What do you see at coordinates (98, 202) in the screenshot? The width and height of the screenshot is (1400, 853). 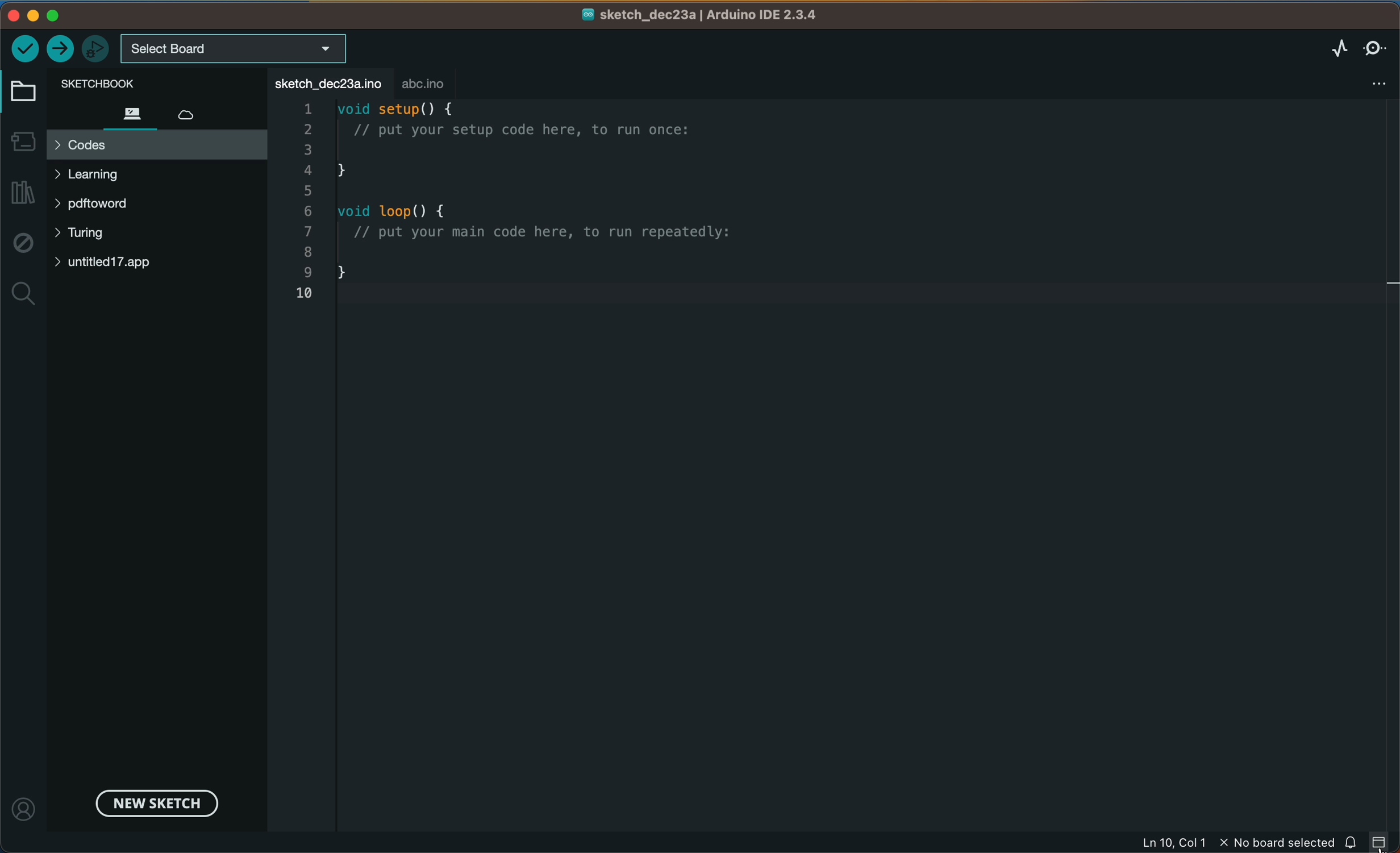 I see `pdftword` at bounding box center [98, 202].